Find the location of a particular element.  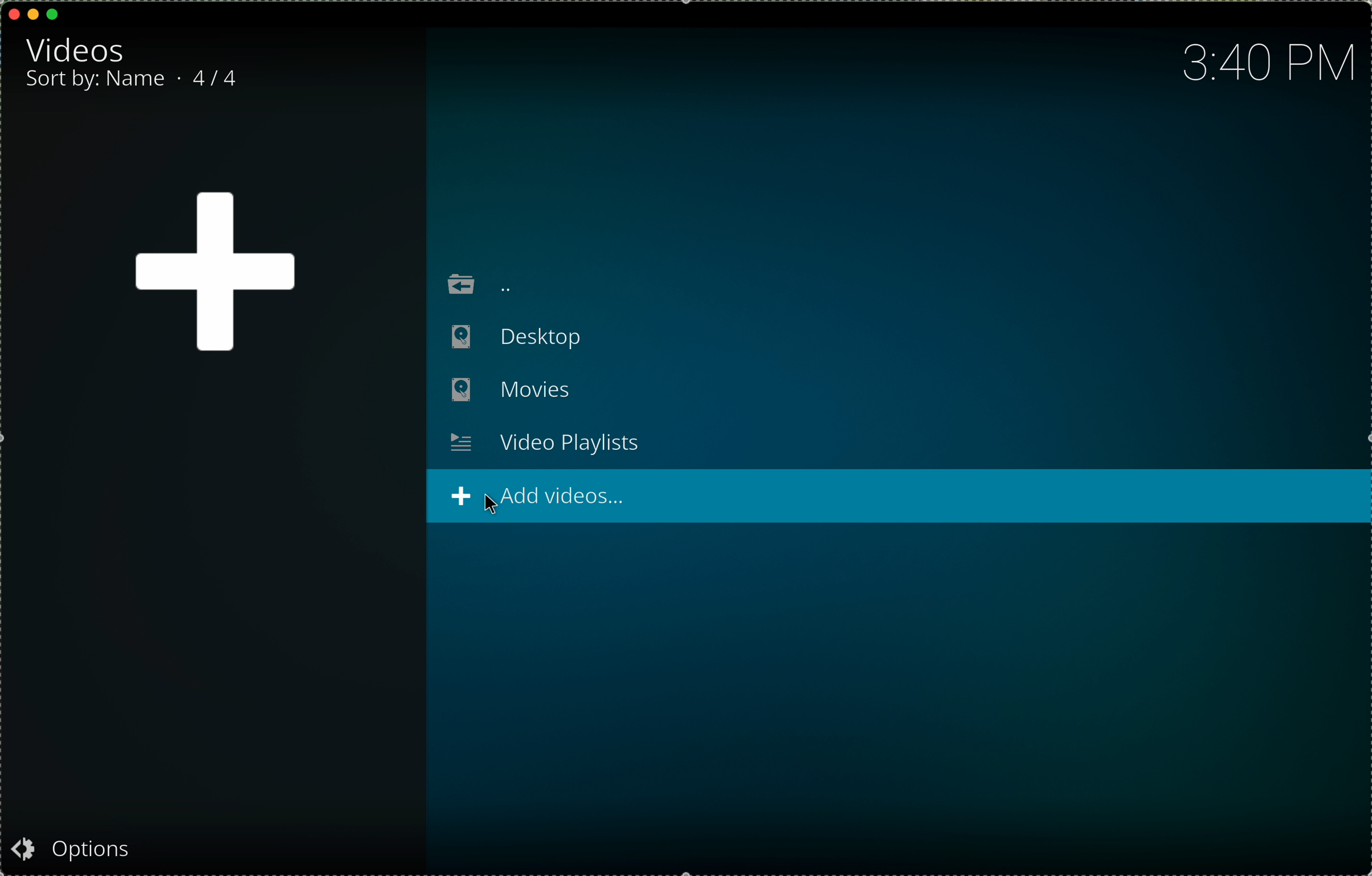

videos is located at coordinates (78, 48).